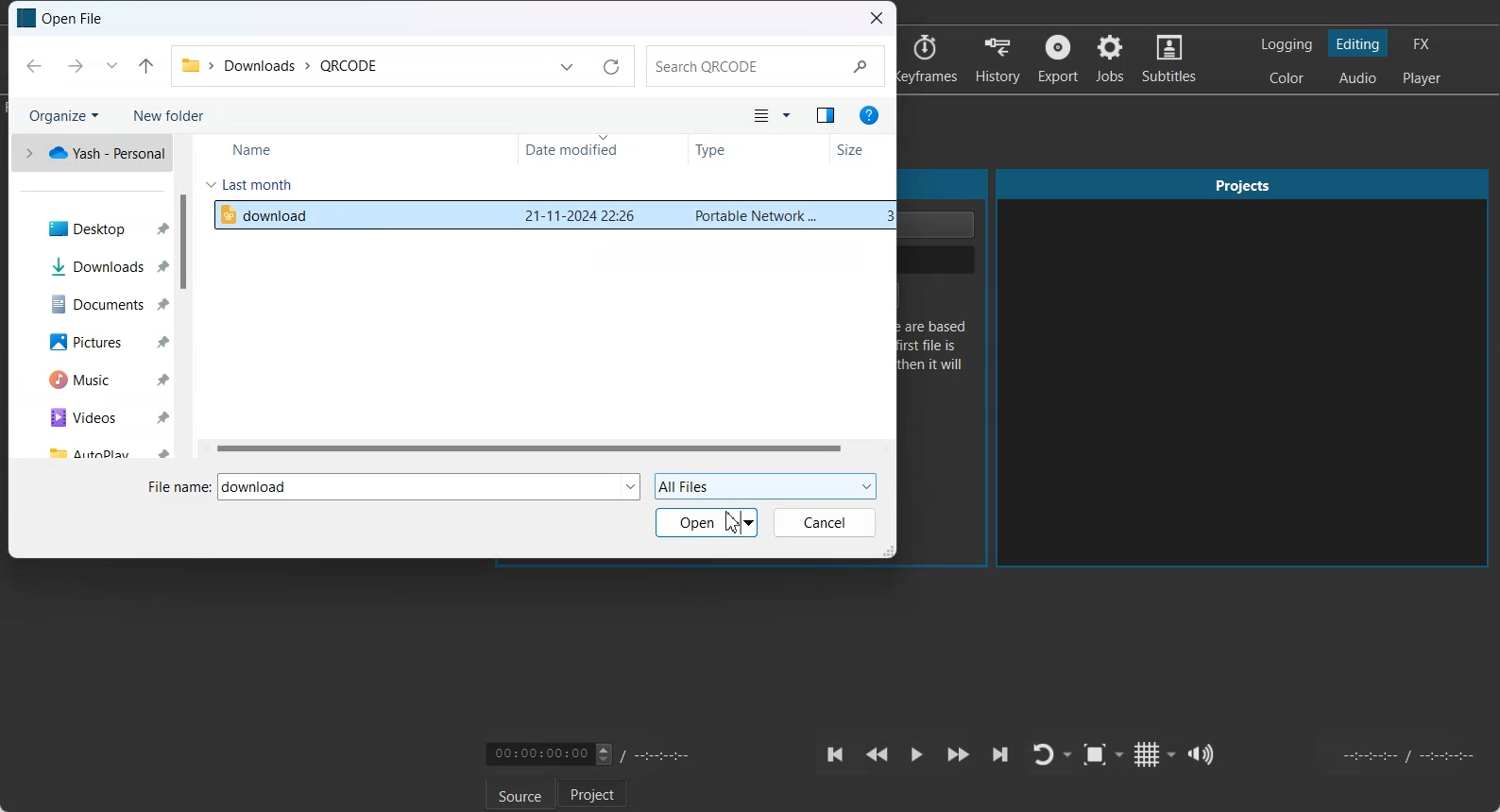  Describe the element at coordinates (661, 755) in the screenshot. I see `Timing ` at that location.